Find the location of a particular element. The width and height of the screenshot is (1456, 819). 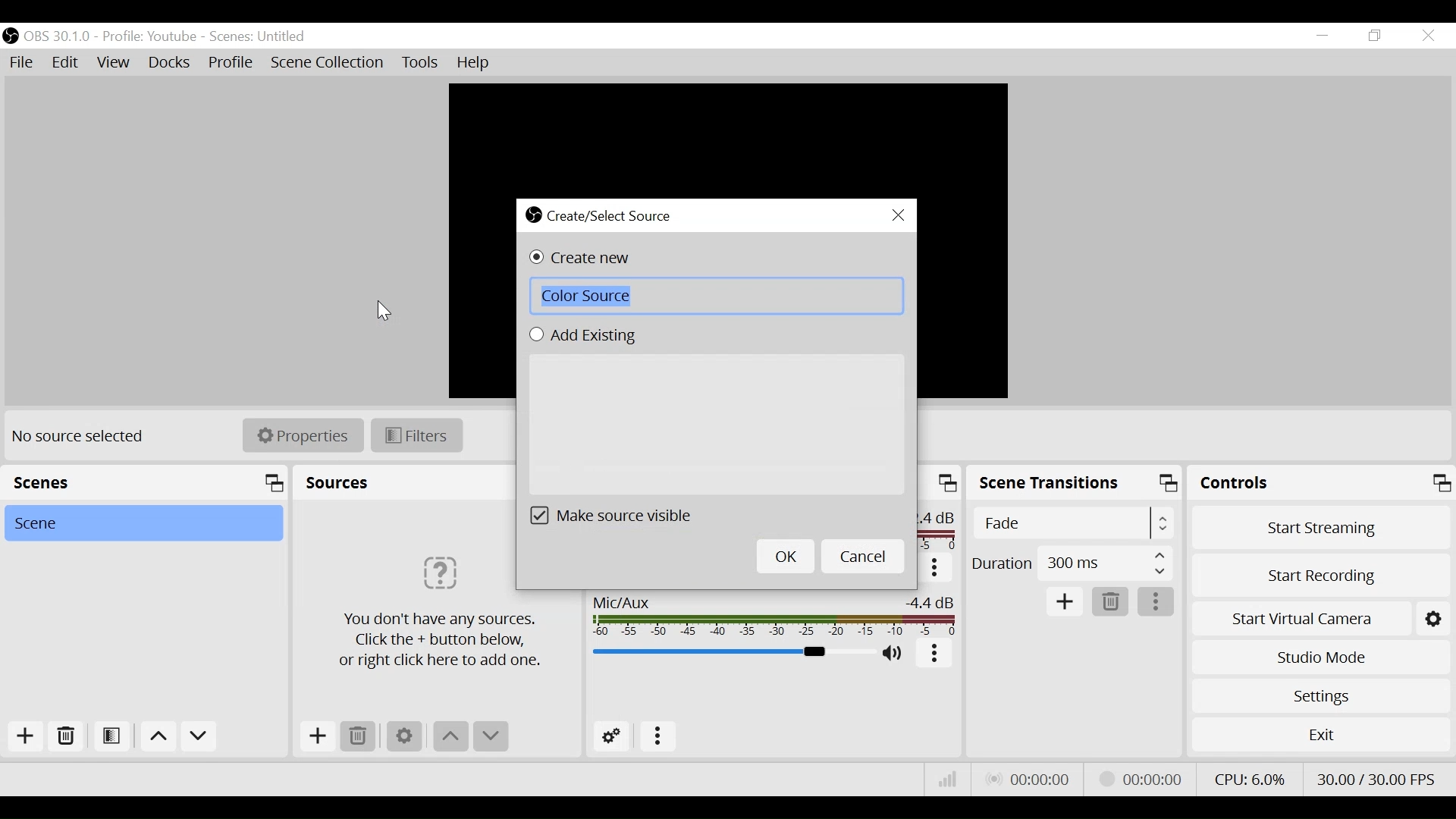

File is located at coordinates (20, 61).